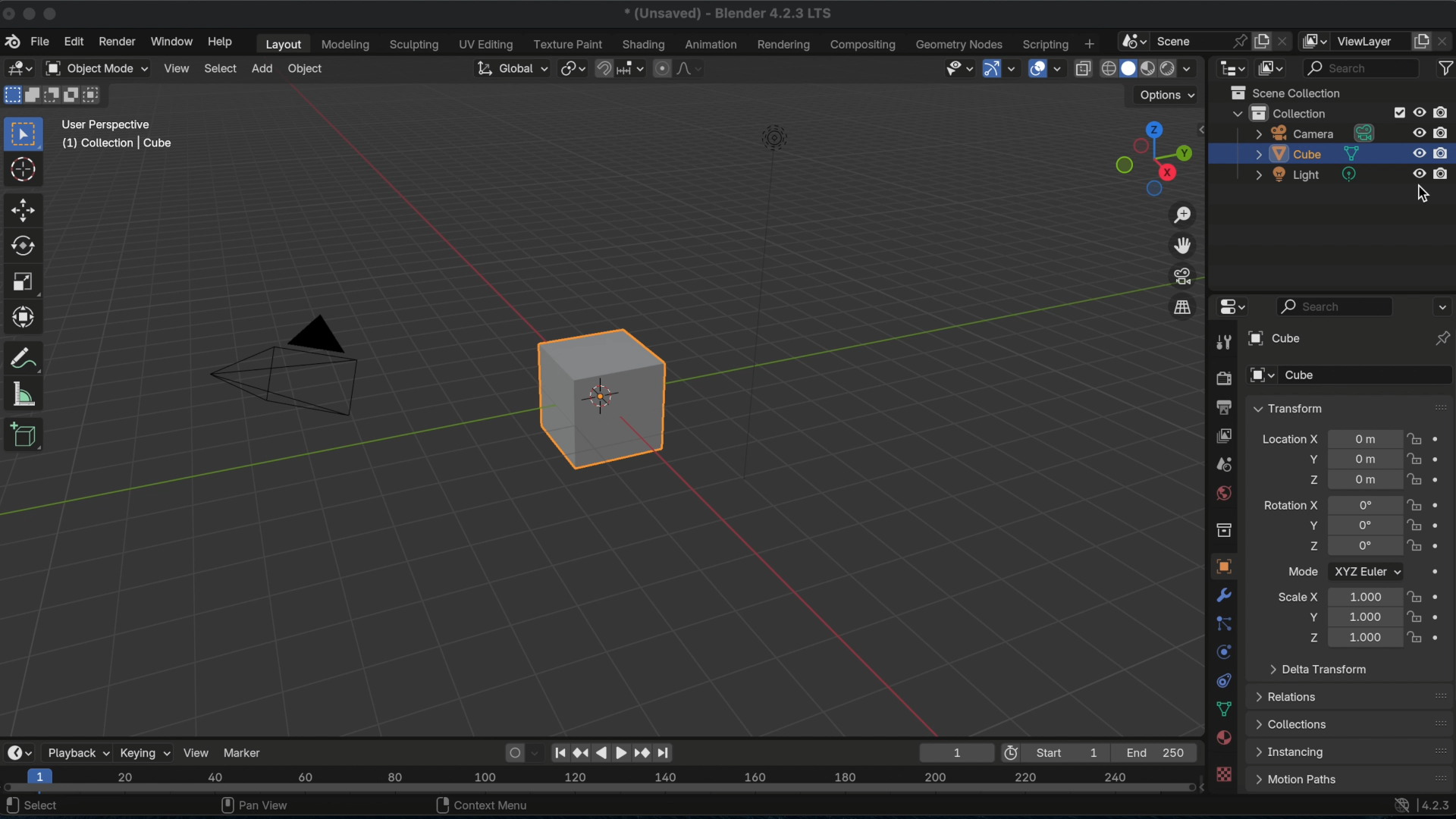 This screenshot has width=1456, height=819. Describe the element at coordinates (610, 753) in the screenshot. I see `play` at that location.